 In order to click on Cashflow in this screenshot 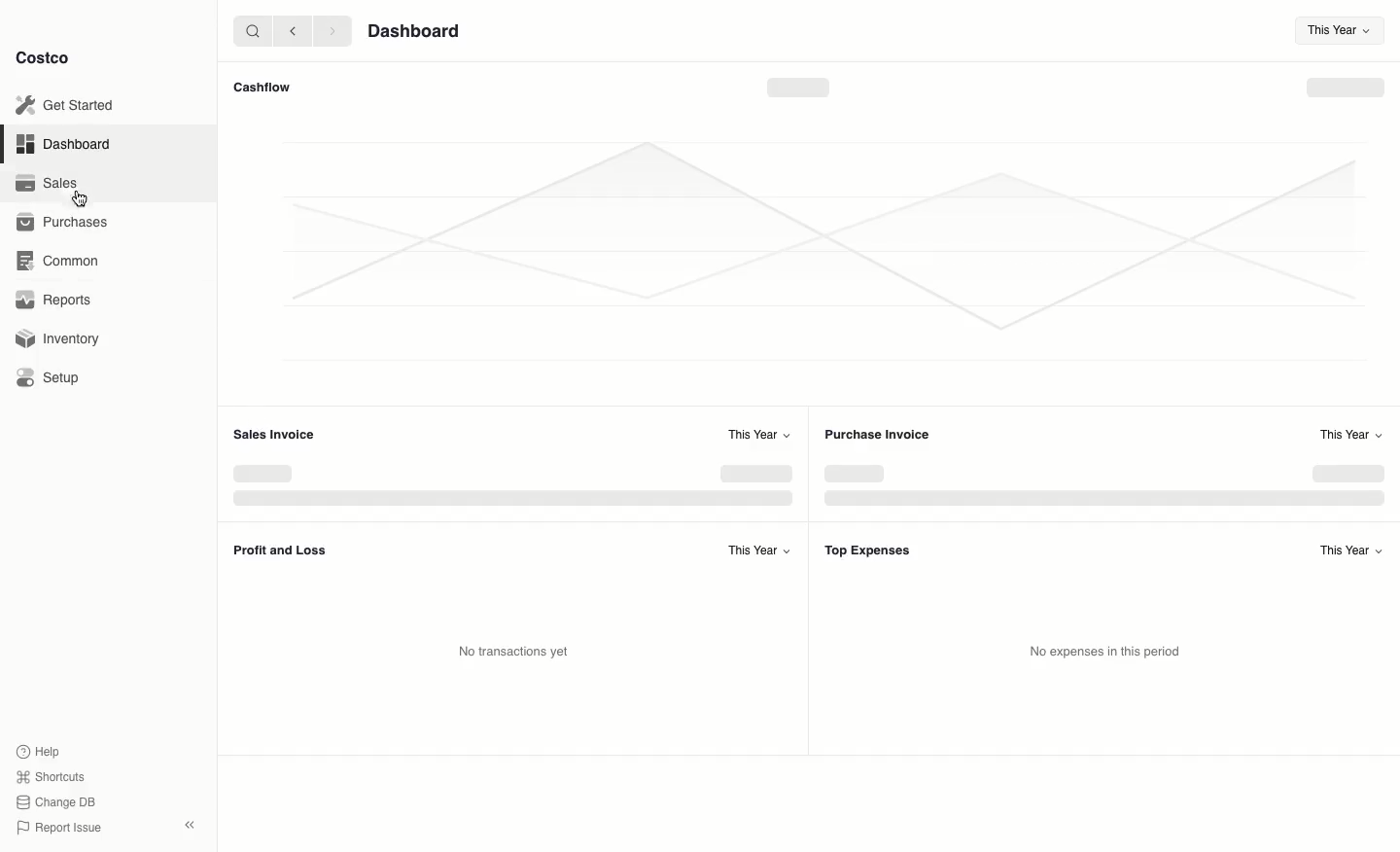, I will do `click(262, 87)`.